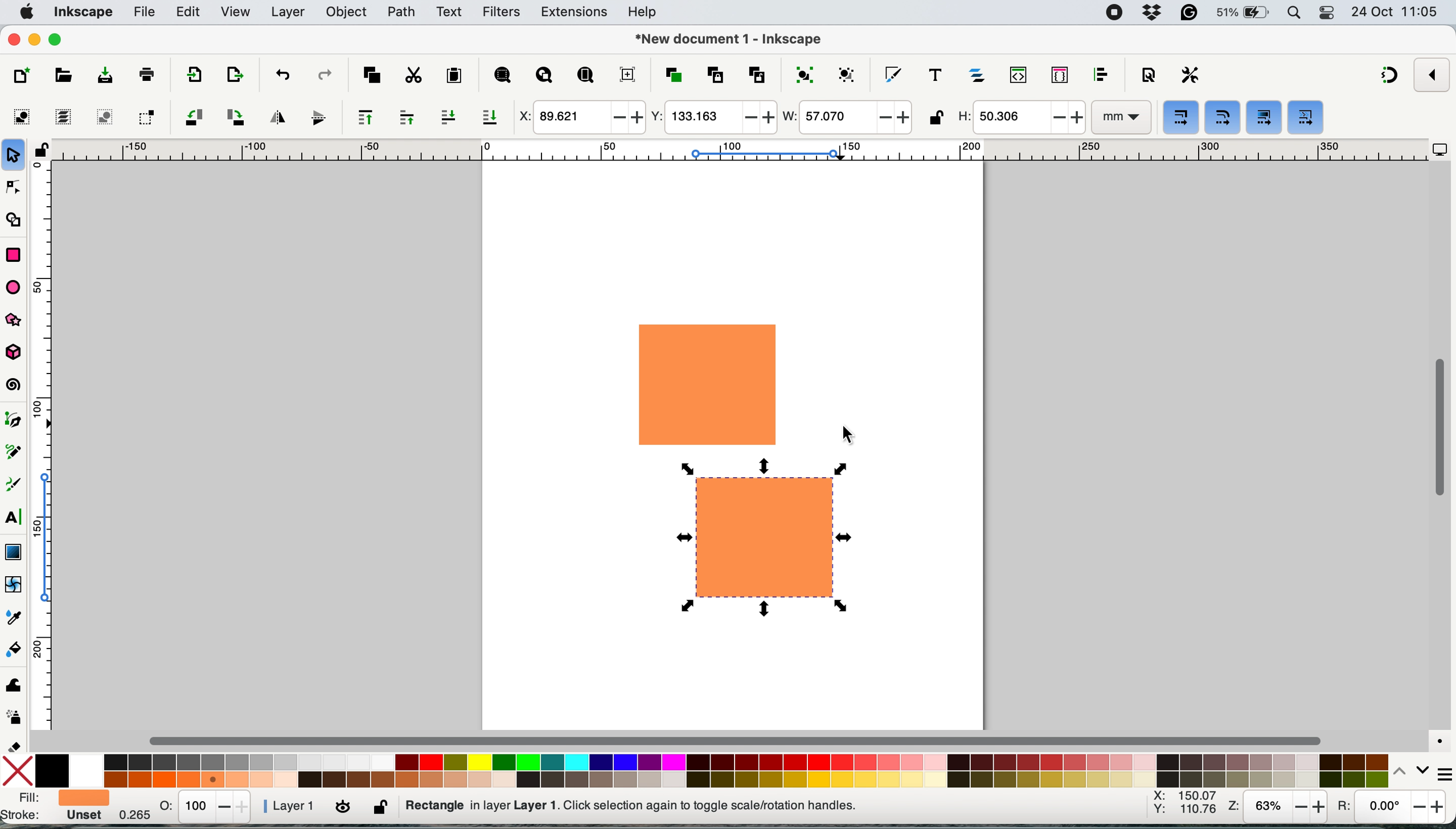 Image resolution: width=1456 pixels, height=829 pixels. I want to click on gradient tool, so click(13, 550).